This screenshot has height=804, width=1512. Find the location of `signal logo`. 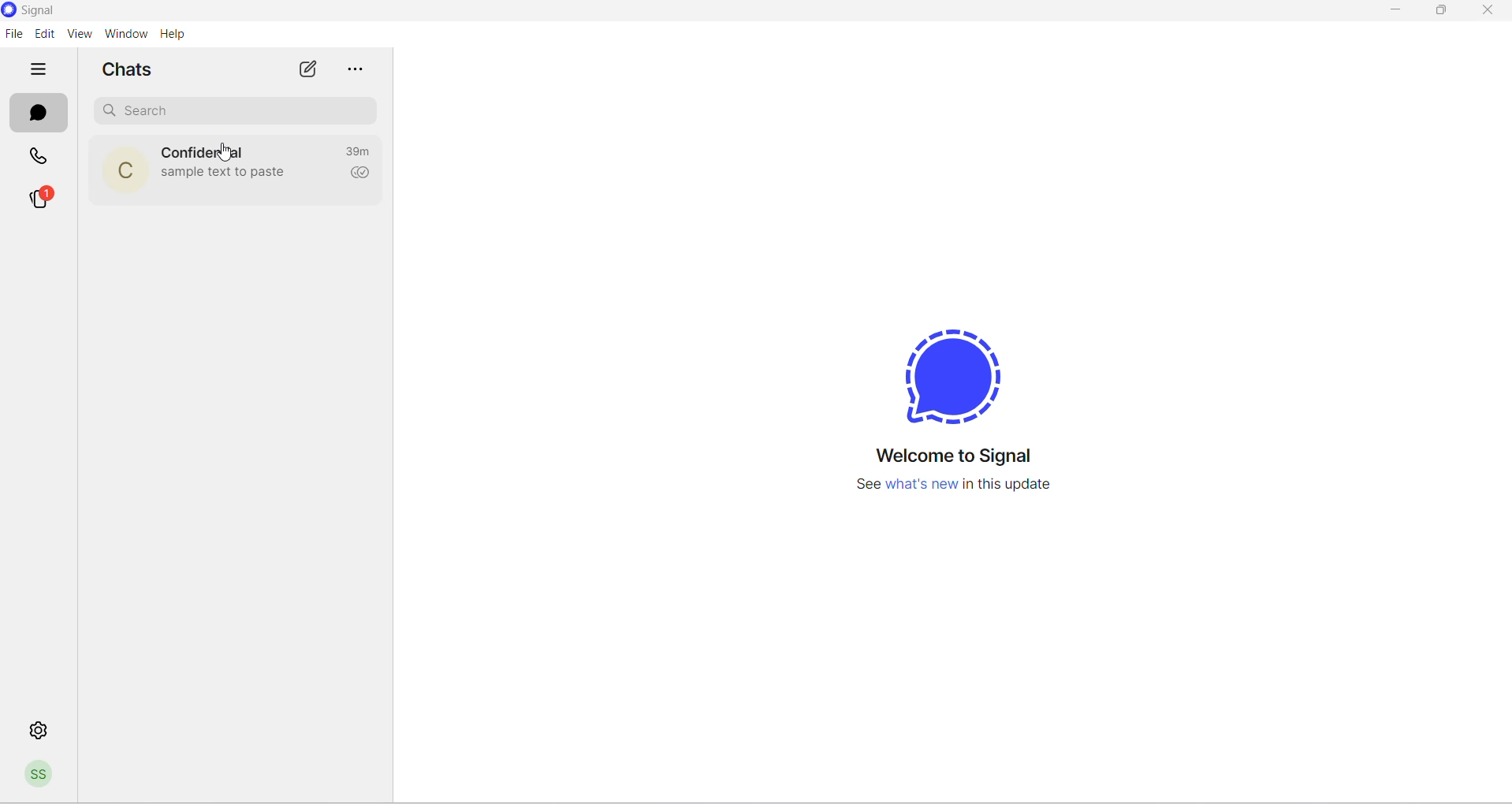

signal logo is located at coordinates (938, 371).